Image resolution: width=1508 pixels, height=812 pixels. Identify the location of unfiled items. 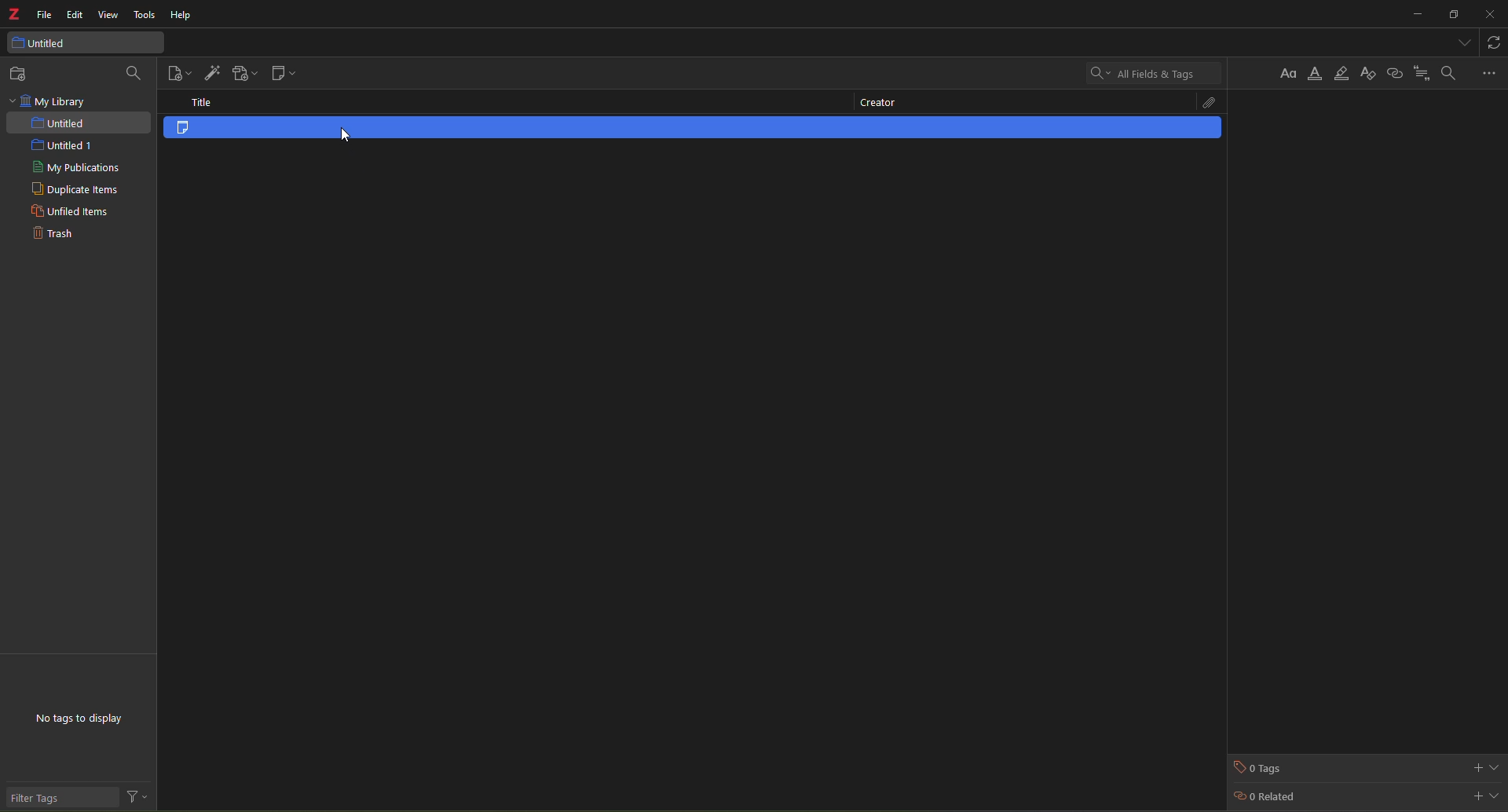
(68, 212).